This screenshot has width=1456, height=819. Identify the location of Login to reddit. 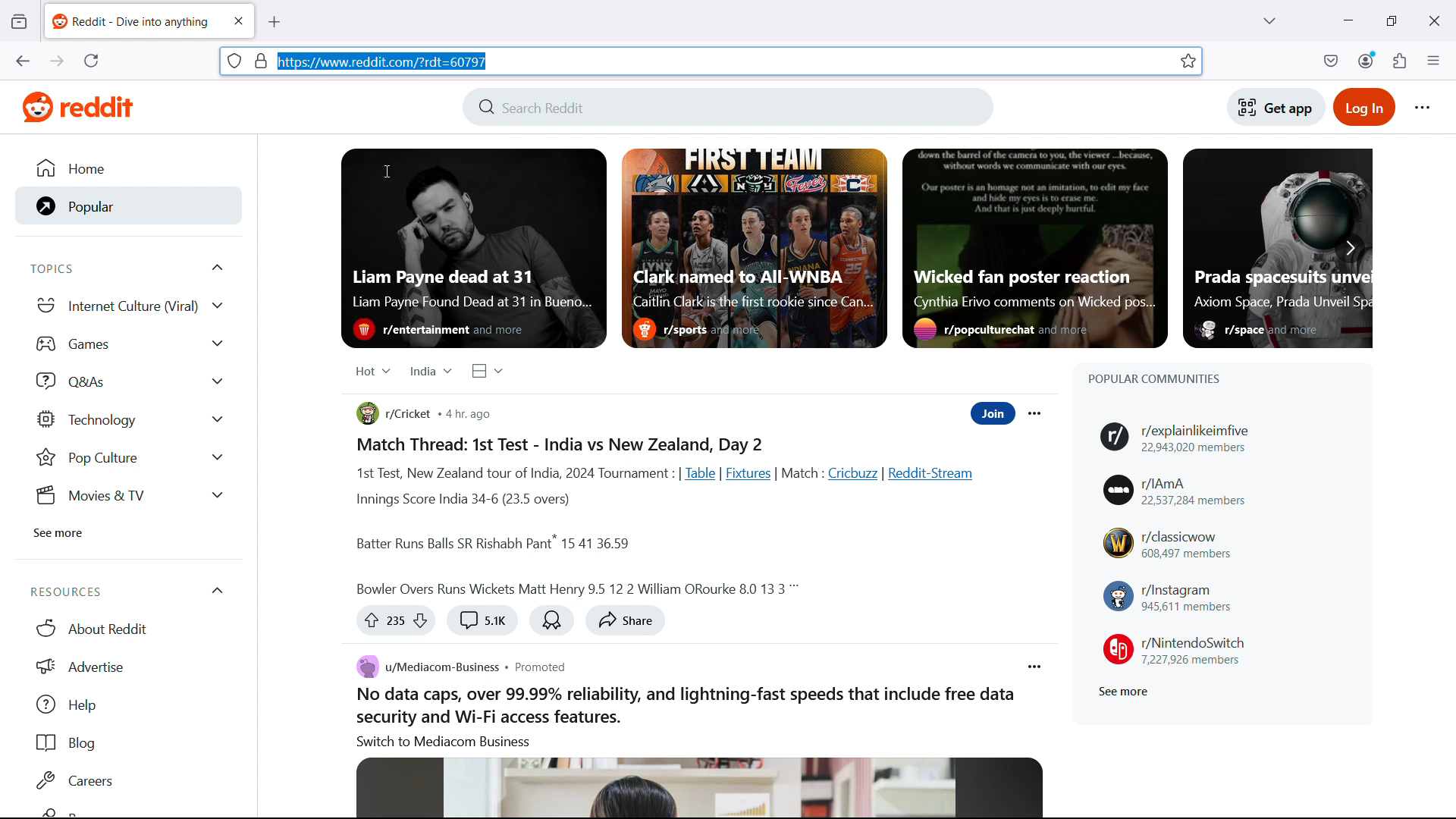
(1367, 106).